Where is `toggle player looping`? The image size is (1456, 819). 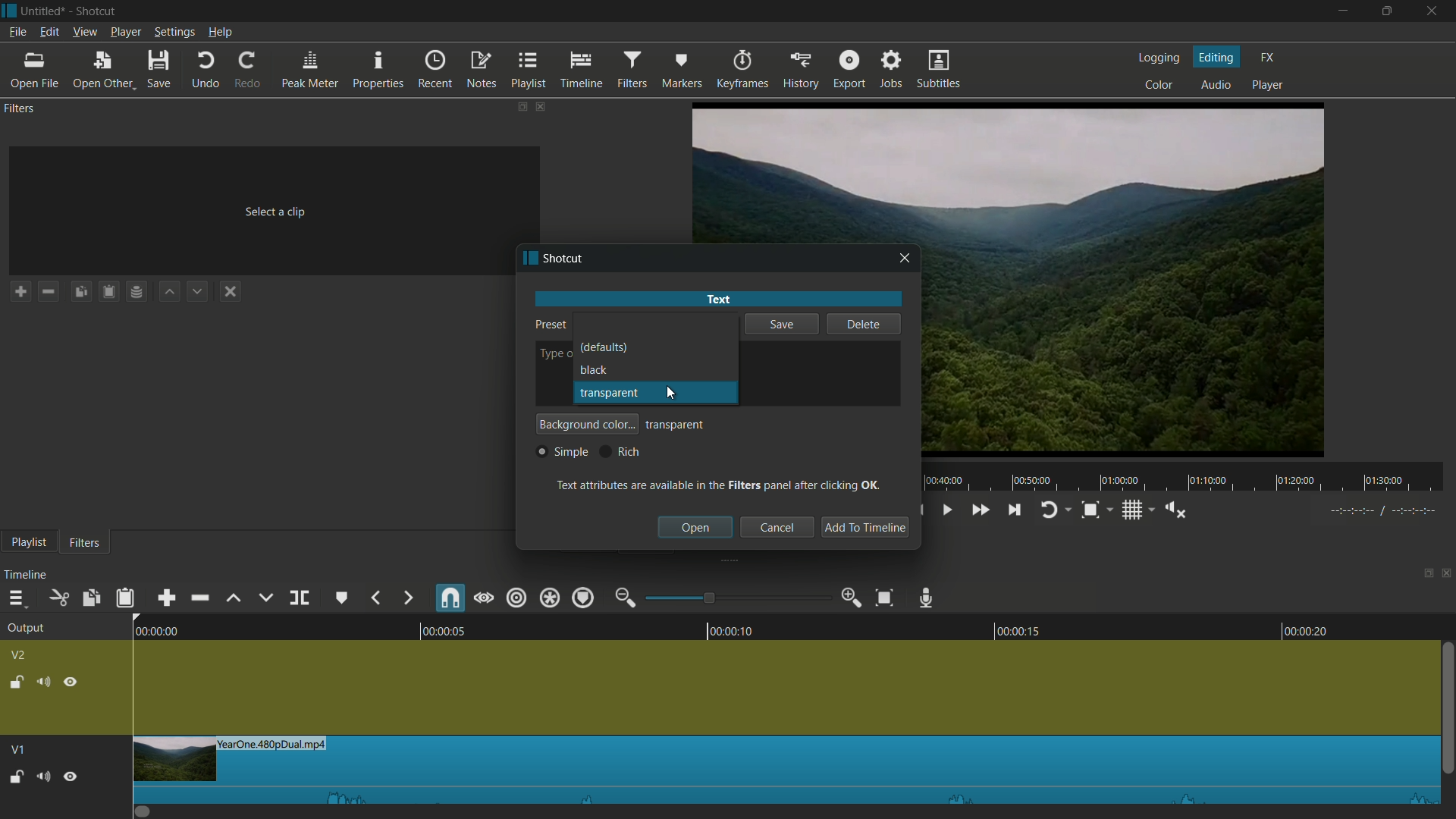 toggle player looping is located at coordinates (1048, 510).